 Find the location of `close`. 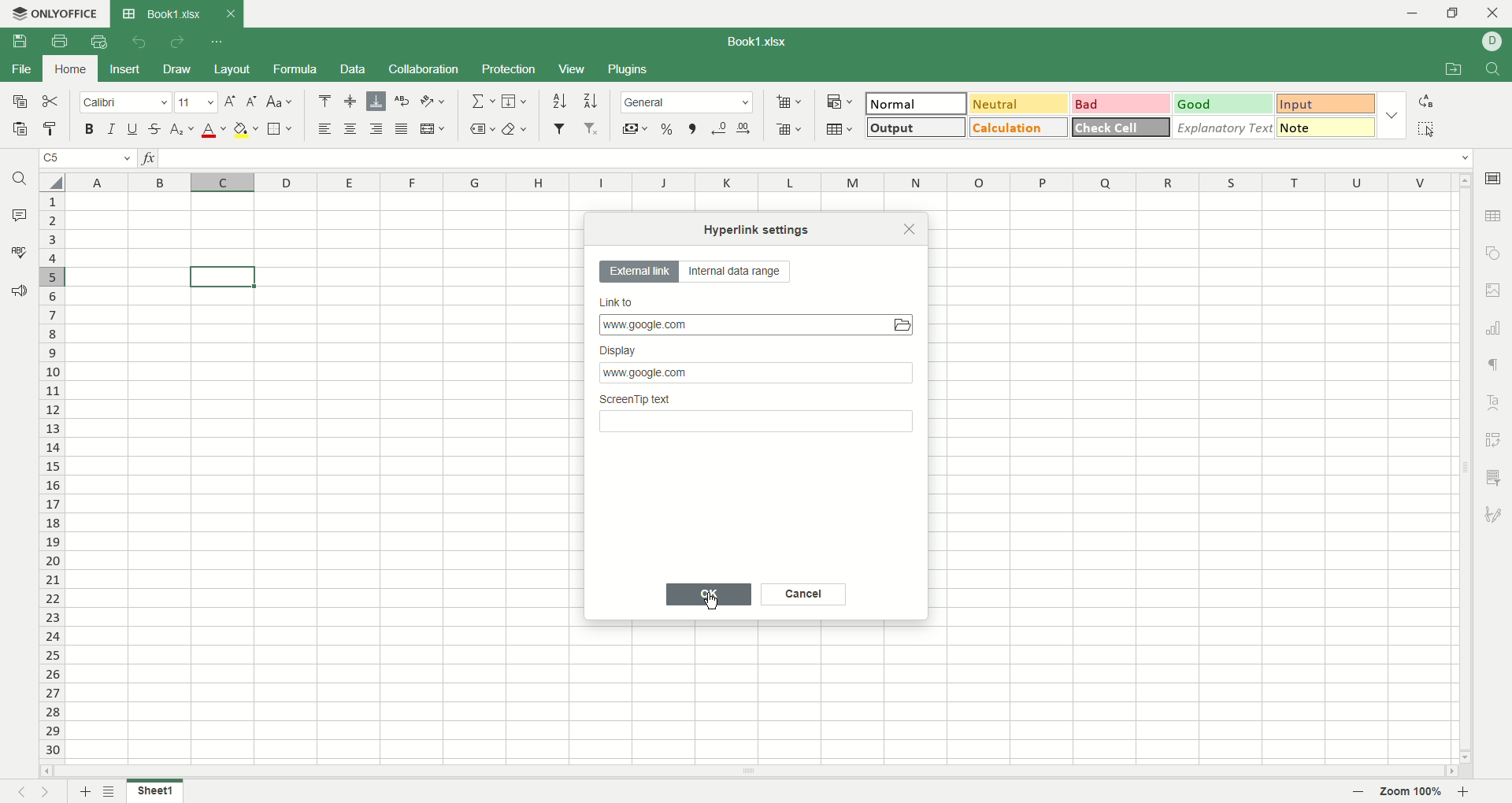

close is located at coordinates (910, 228).